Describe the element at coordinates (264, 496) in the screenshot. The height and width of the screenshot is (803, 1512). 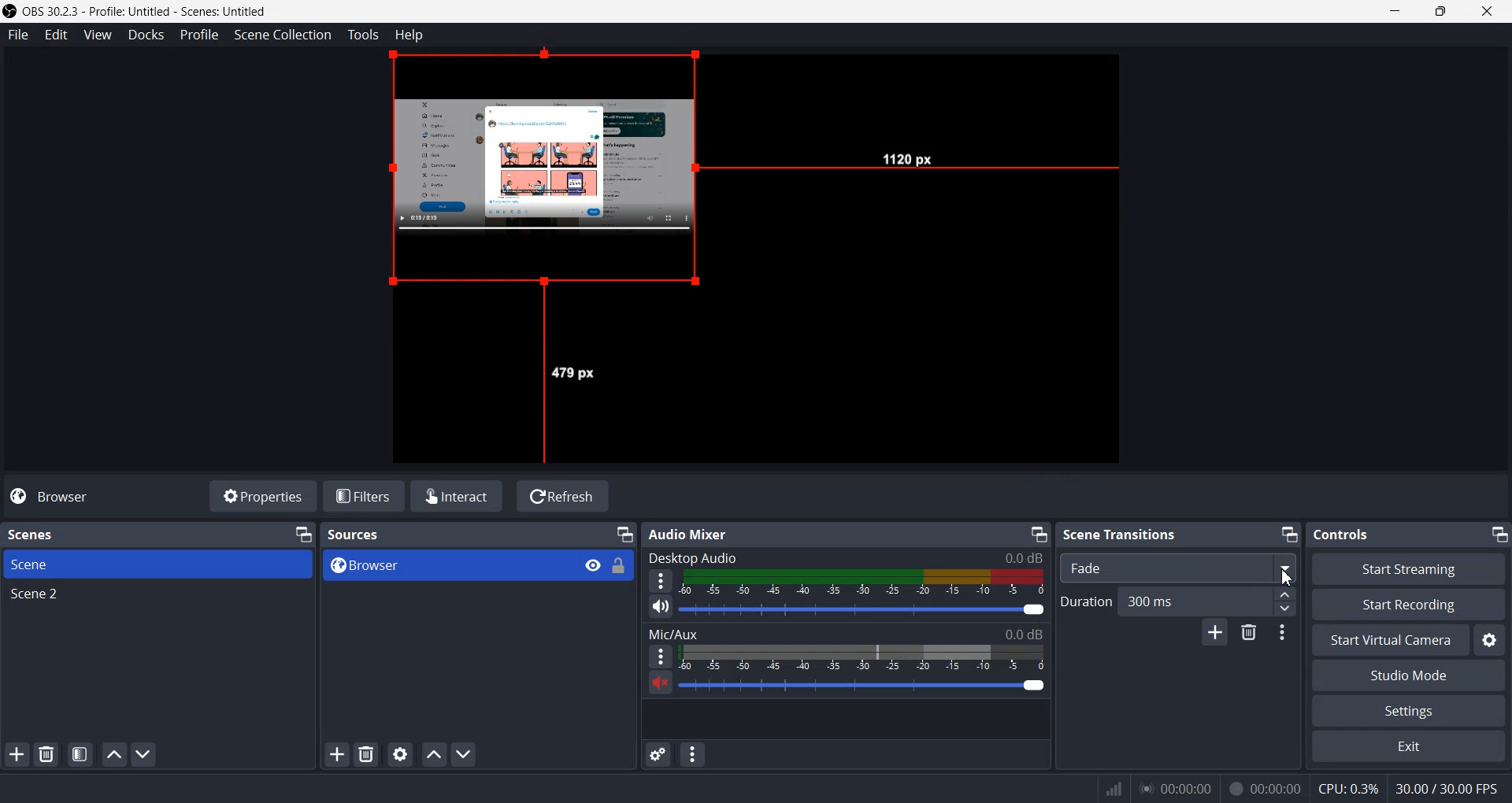
I see `Properties` at that location.